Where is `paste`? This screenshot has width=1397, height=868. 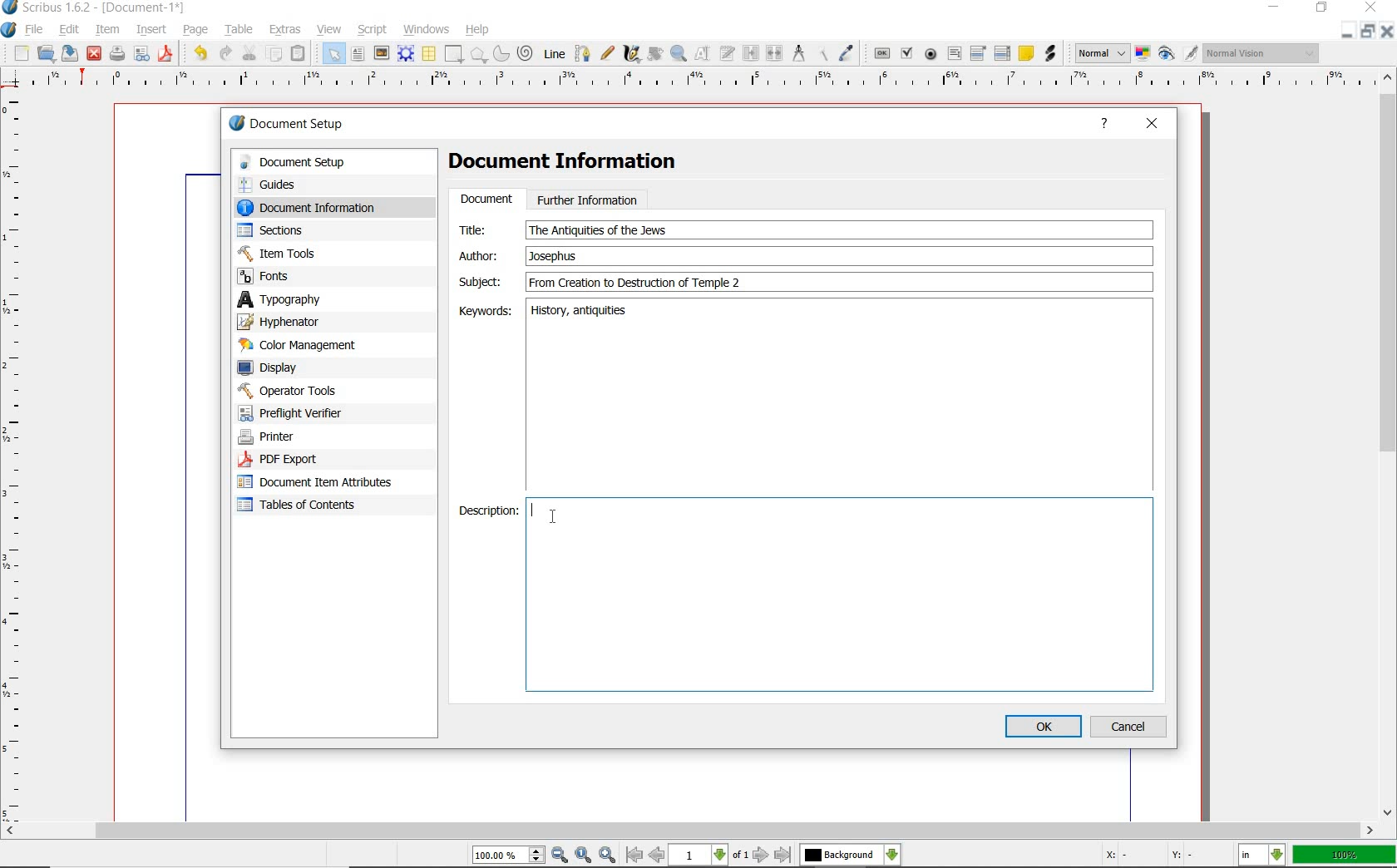
paste is located at coordinates (301, 52).